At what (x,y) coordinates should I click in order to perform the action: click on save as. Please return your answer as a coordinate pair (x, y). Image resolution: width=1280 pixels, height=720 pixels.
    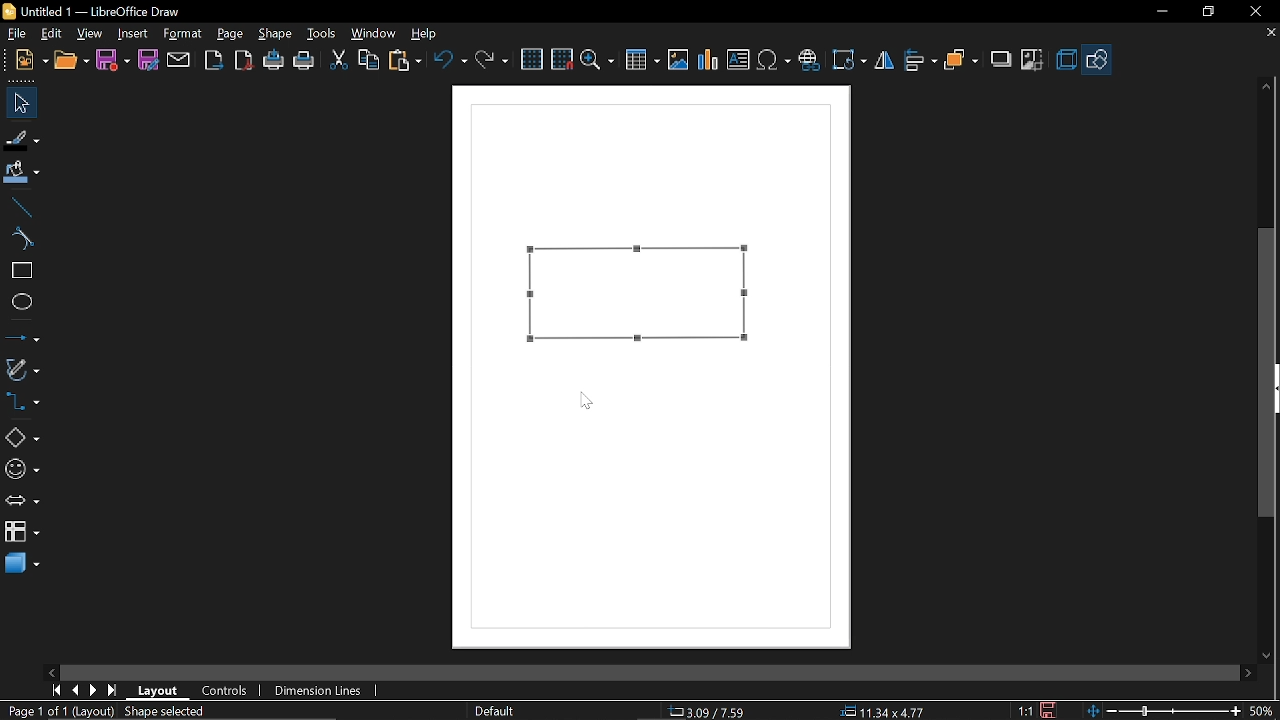
    Looking at the image, I should click on (148, 60).